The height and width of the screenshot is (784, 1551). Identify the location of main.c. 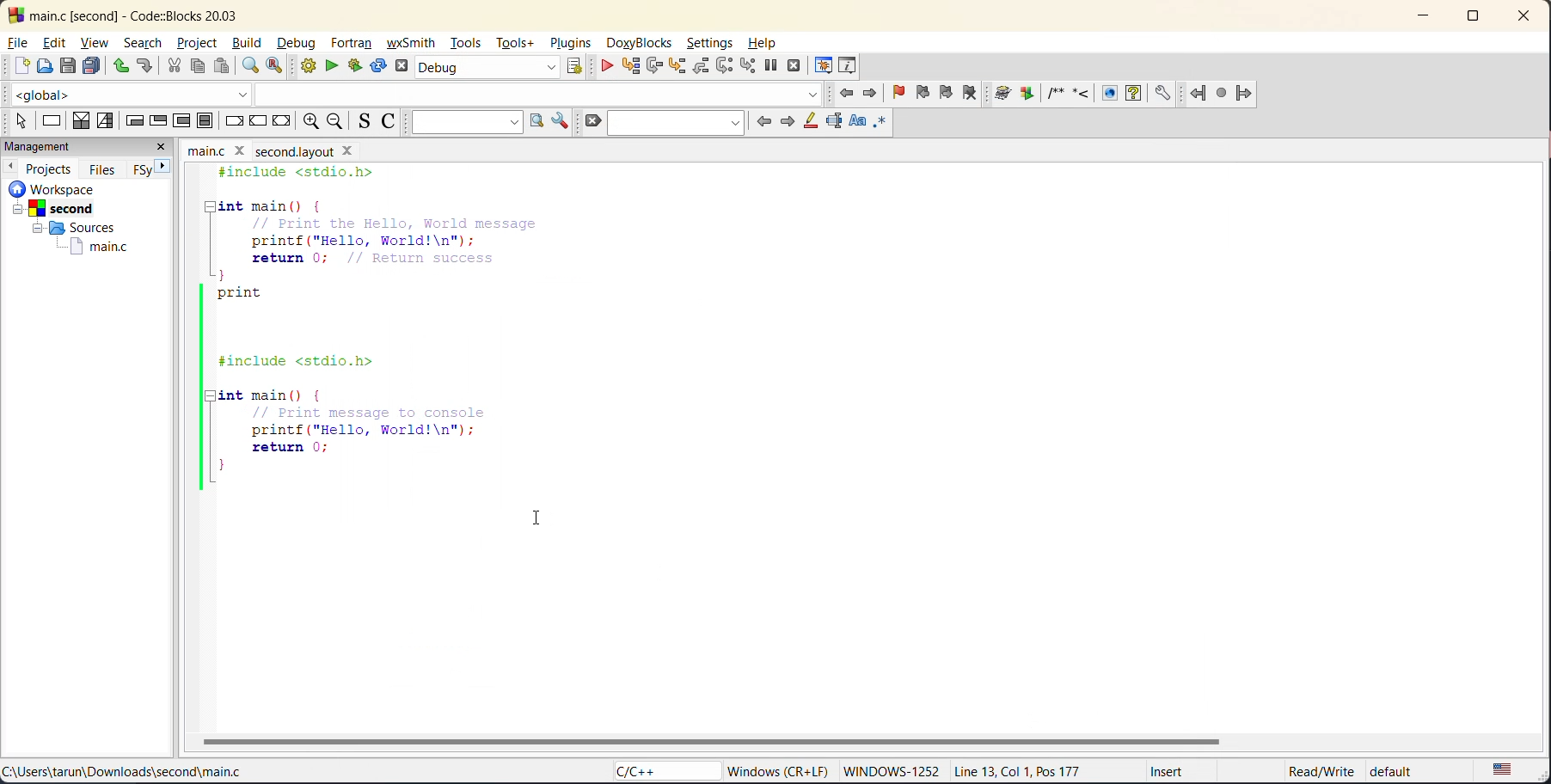
(89, 247).